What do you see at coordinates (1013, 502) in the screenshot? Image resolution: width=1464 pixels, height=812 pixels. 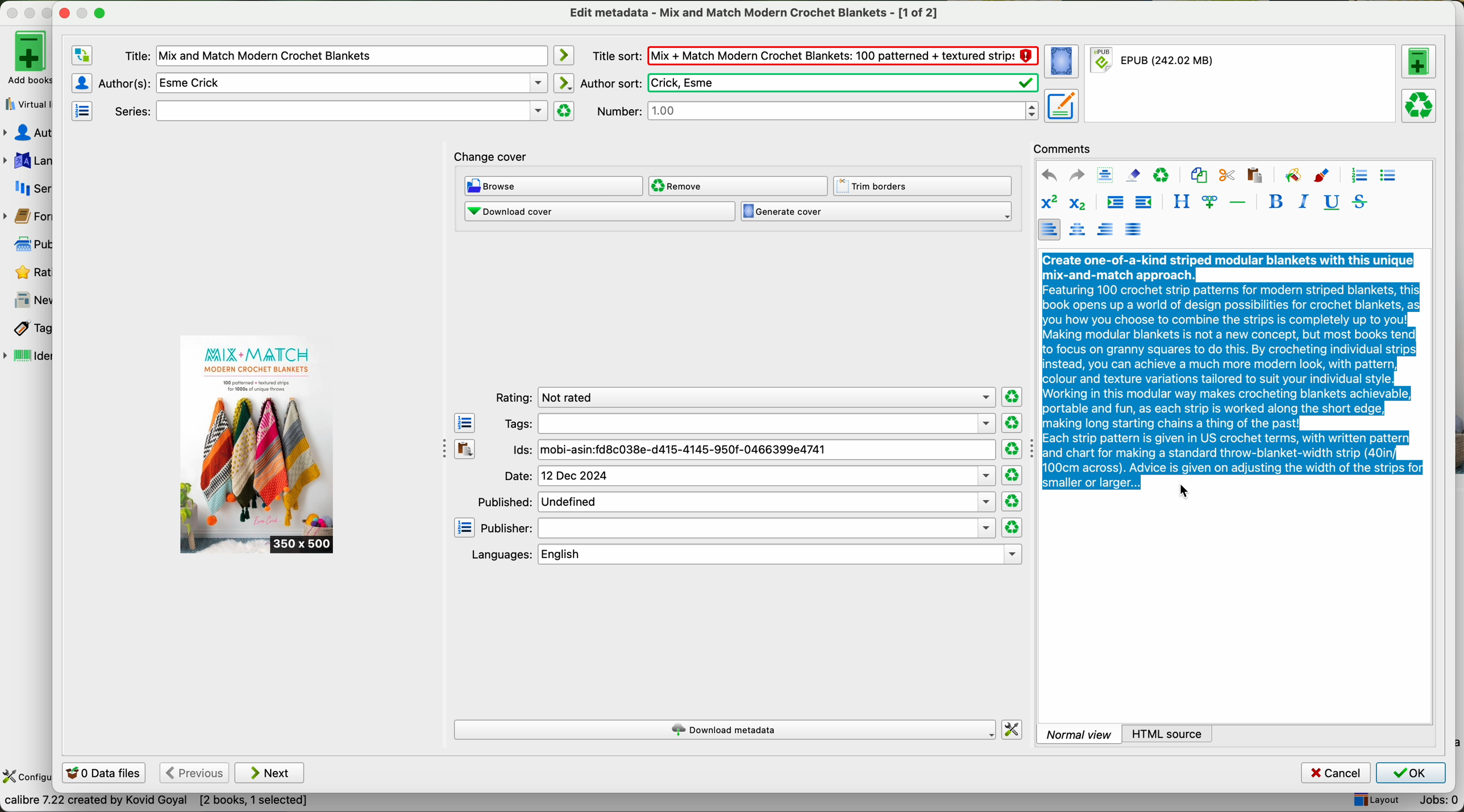 I see `clear rating` at bounding box center [1013, 502].